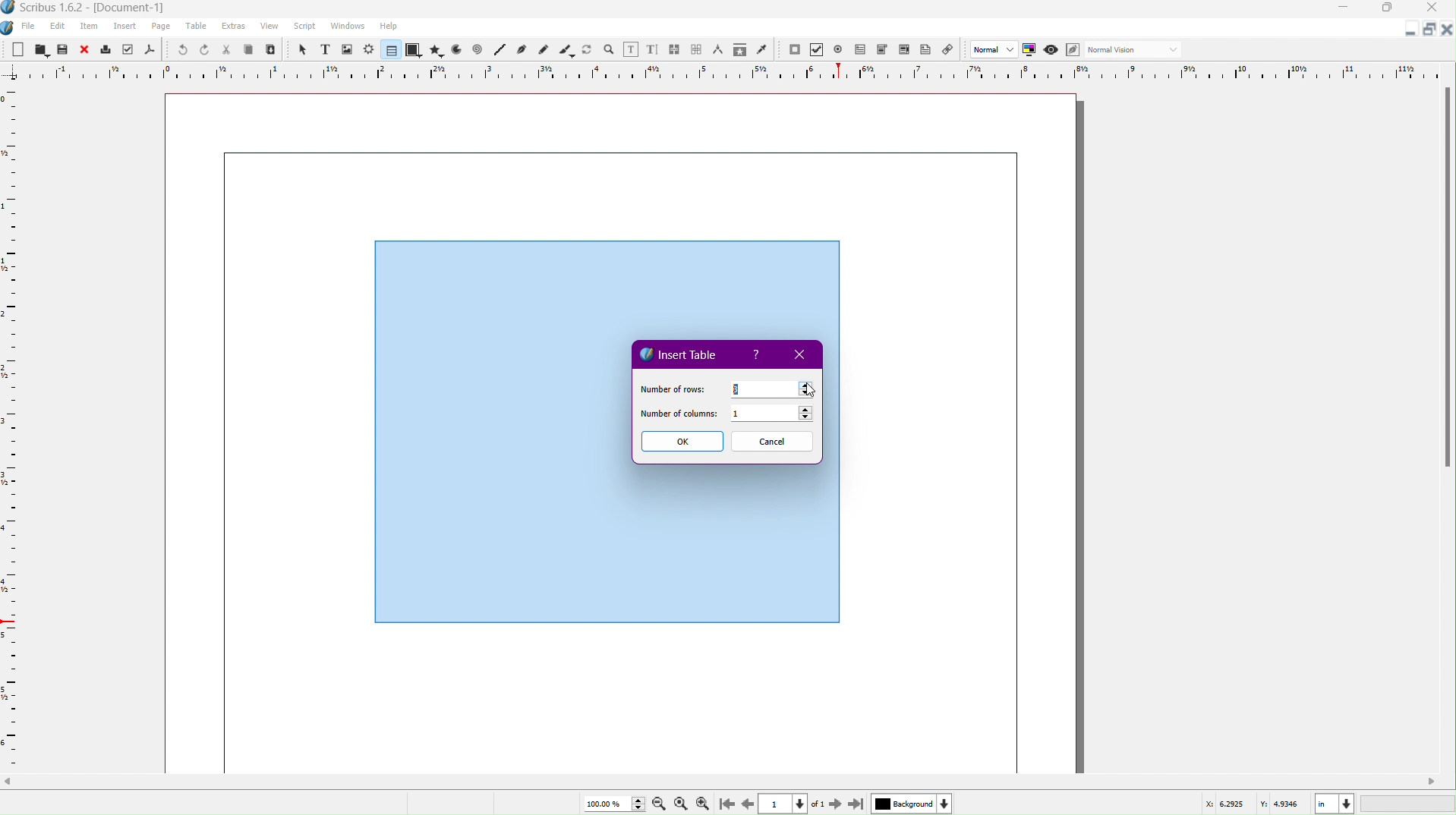 The width and height of the screenshot is (1456, 815). Describe the element at coordinates (456, 51) in the screenshot. I see `Arc` at that location.